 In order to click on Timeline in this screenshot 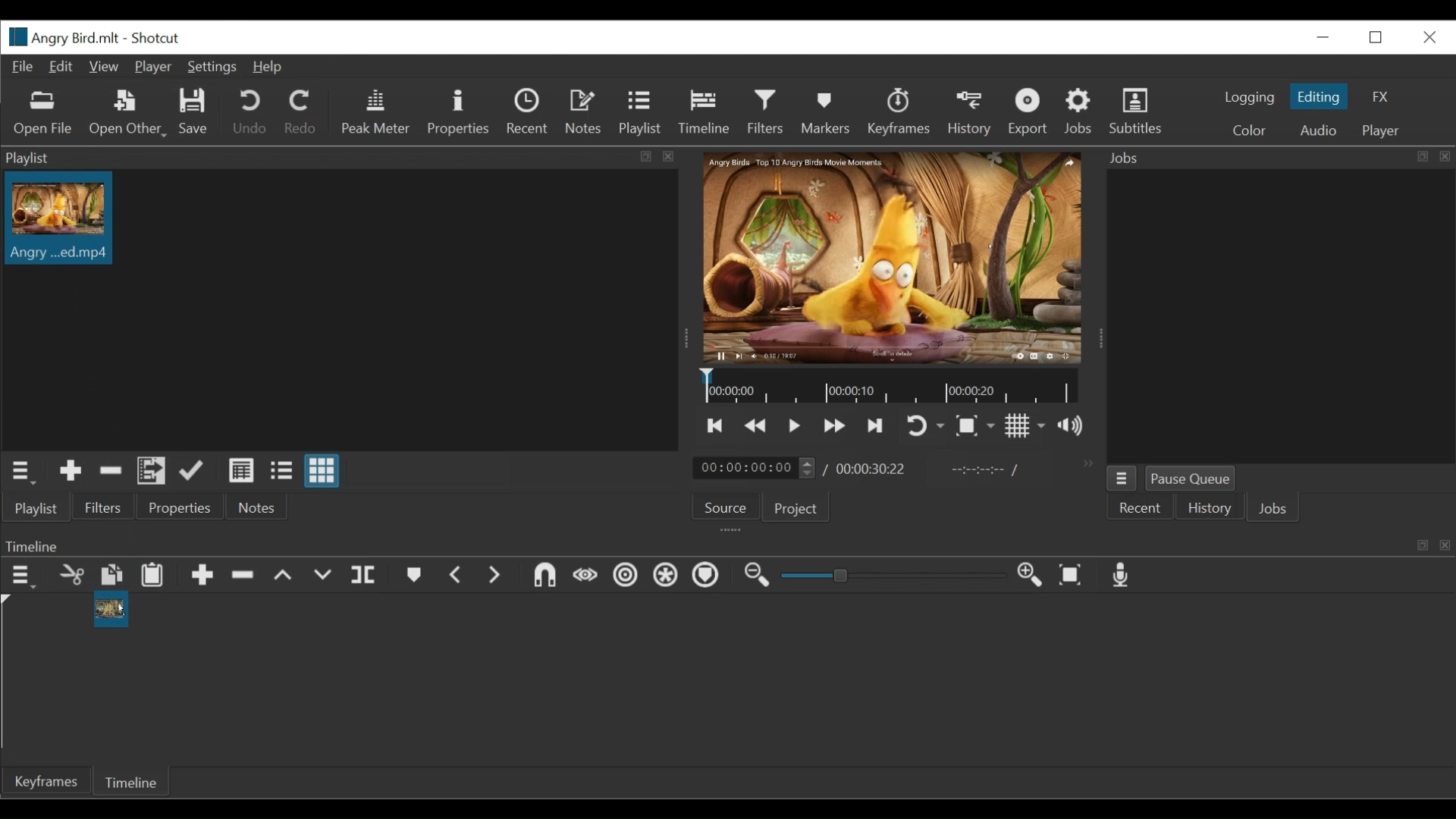, I will do `click(890, 387)`.